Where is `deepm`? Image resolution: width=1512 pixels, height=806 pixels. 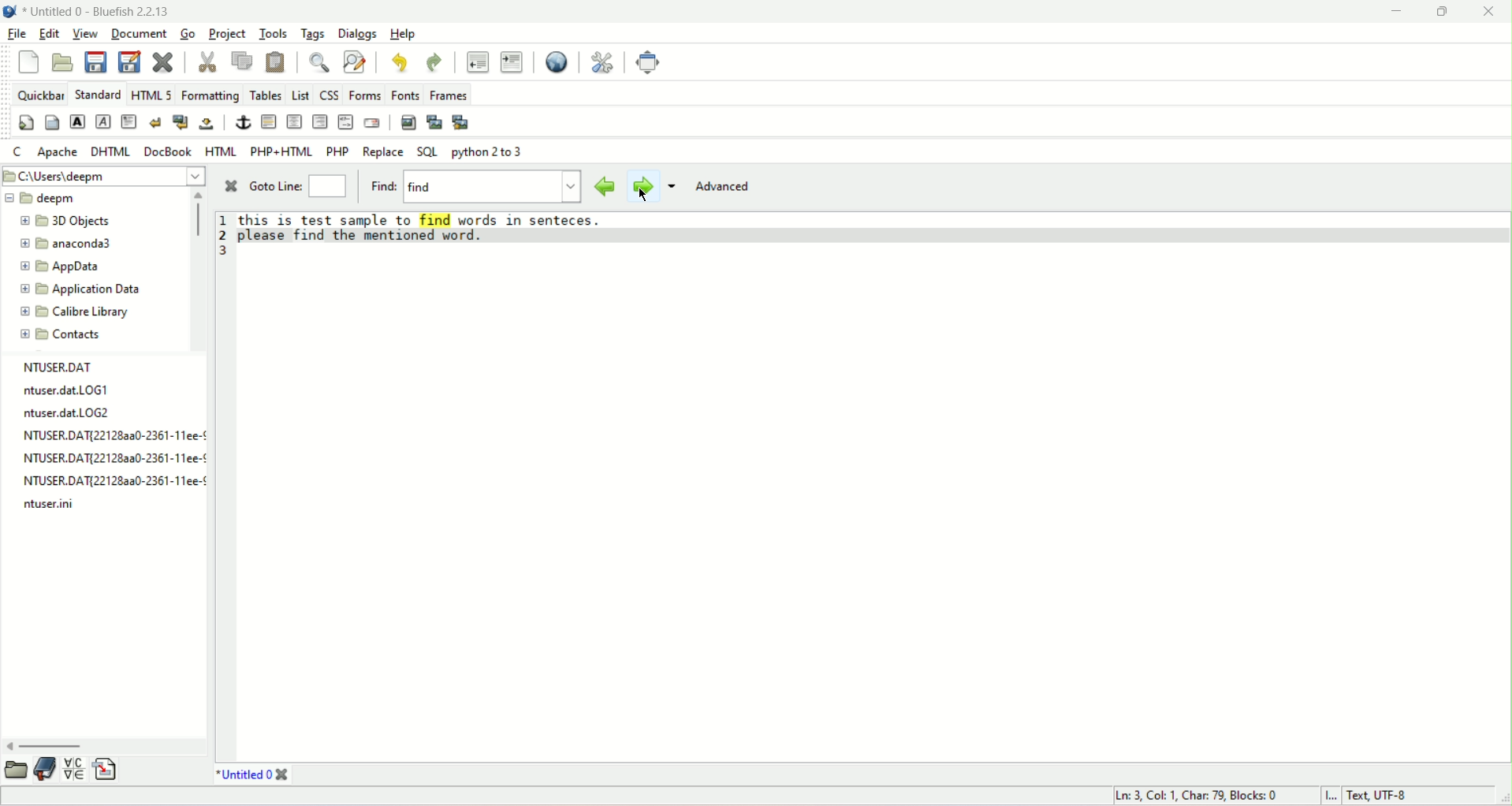
deepm is located at coordinates (44, 199).